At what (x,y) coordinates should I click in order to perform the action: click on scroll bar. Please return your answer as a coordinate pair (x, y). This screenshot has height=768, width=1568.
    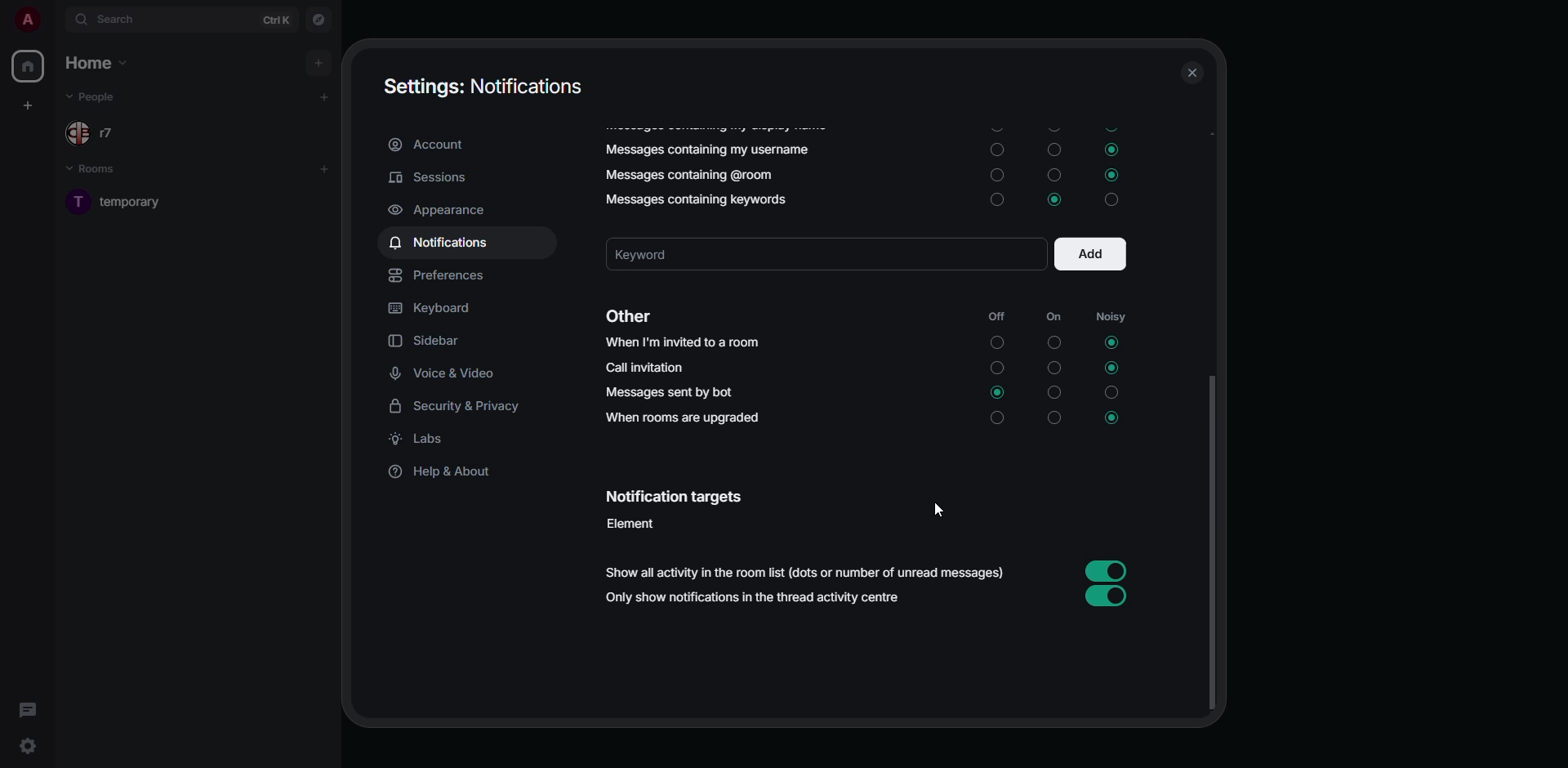
    Looking at the image, I should click on (1214, 542).